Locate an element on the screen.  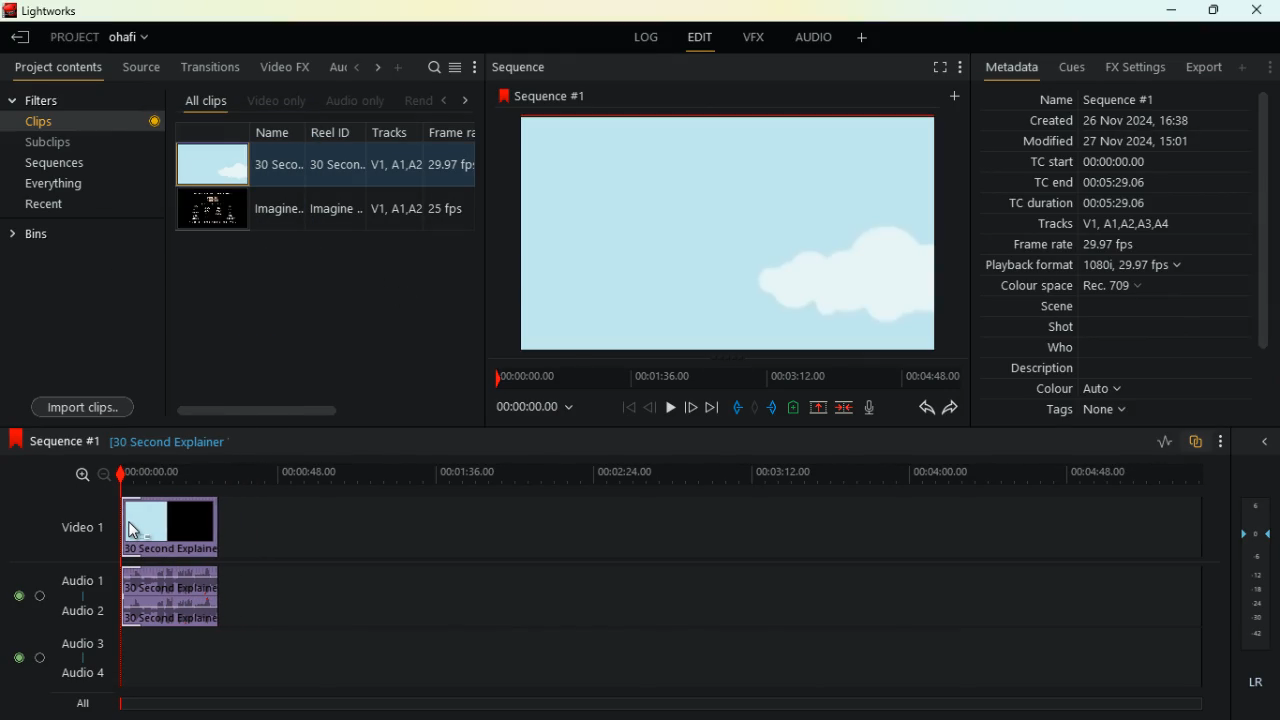
timeline is located at coordinates (650, 704).